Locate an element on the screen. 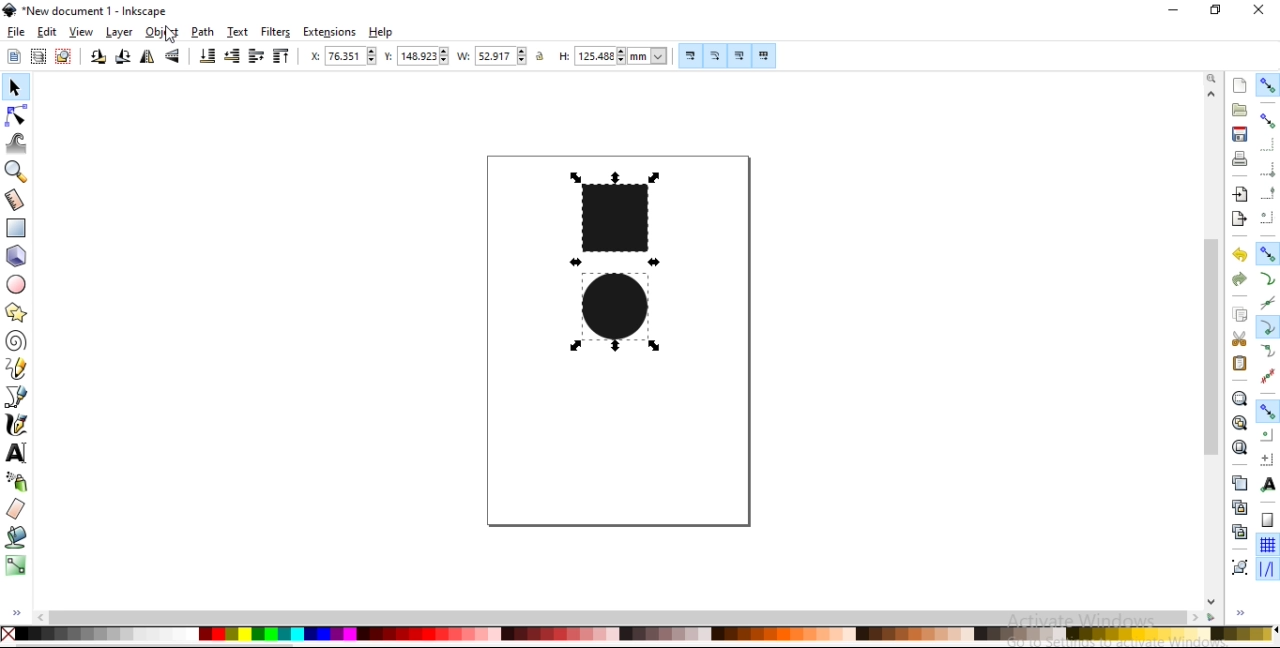  create circles, arcs and ellipses is located at coordinates (18, 285).